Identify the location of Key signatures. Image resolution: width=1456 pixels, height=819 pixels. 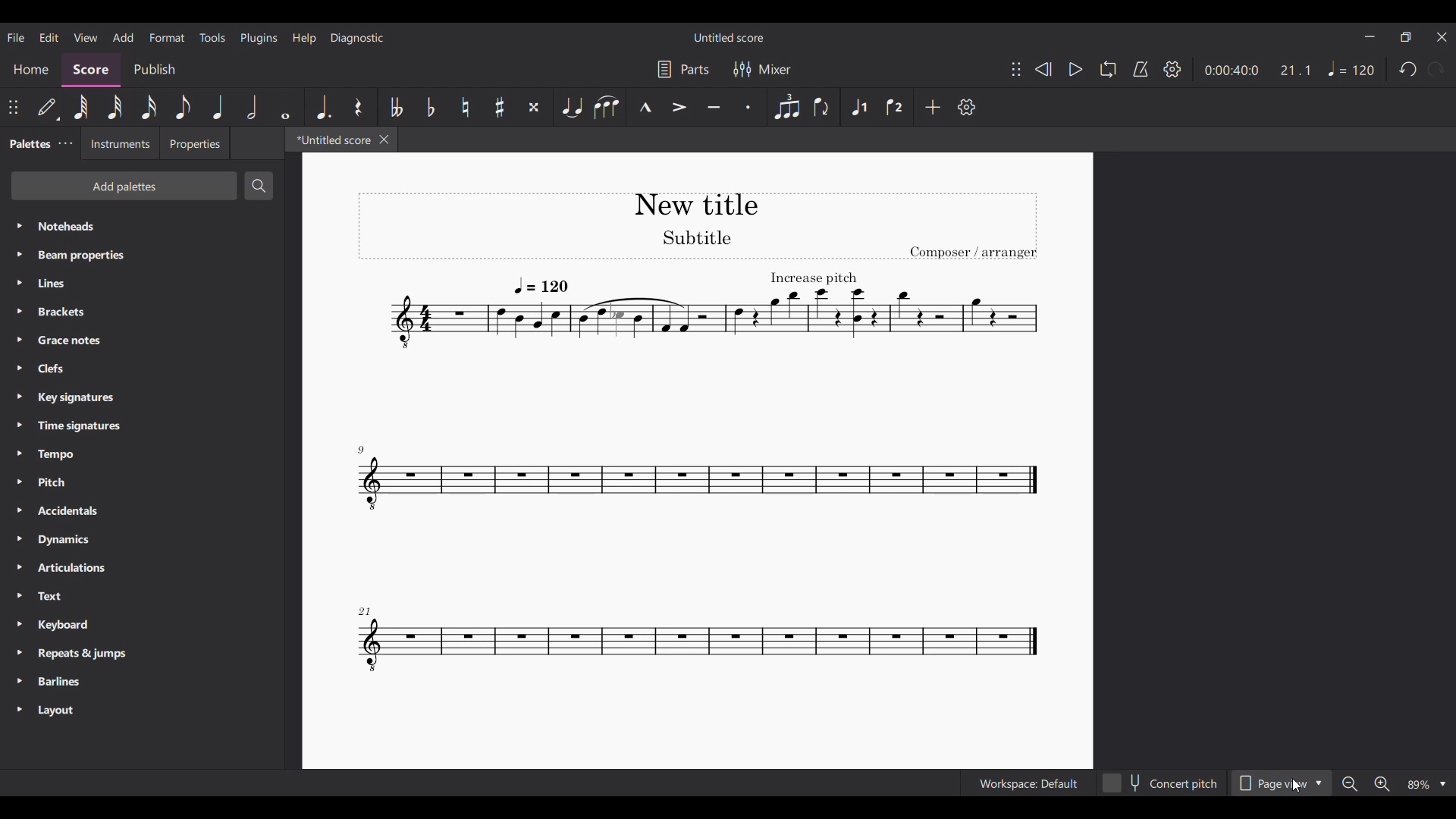
(143, 397).